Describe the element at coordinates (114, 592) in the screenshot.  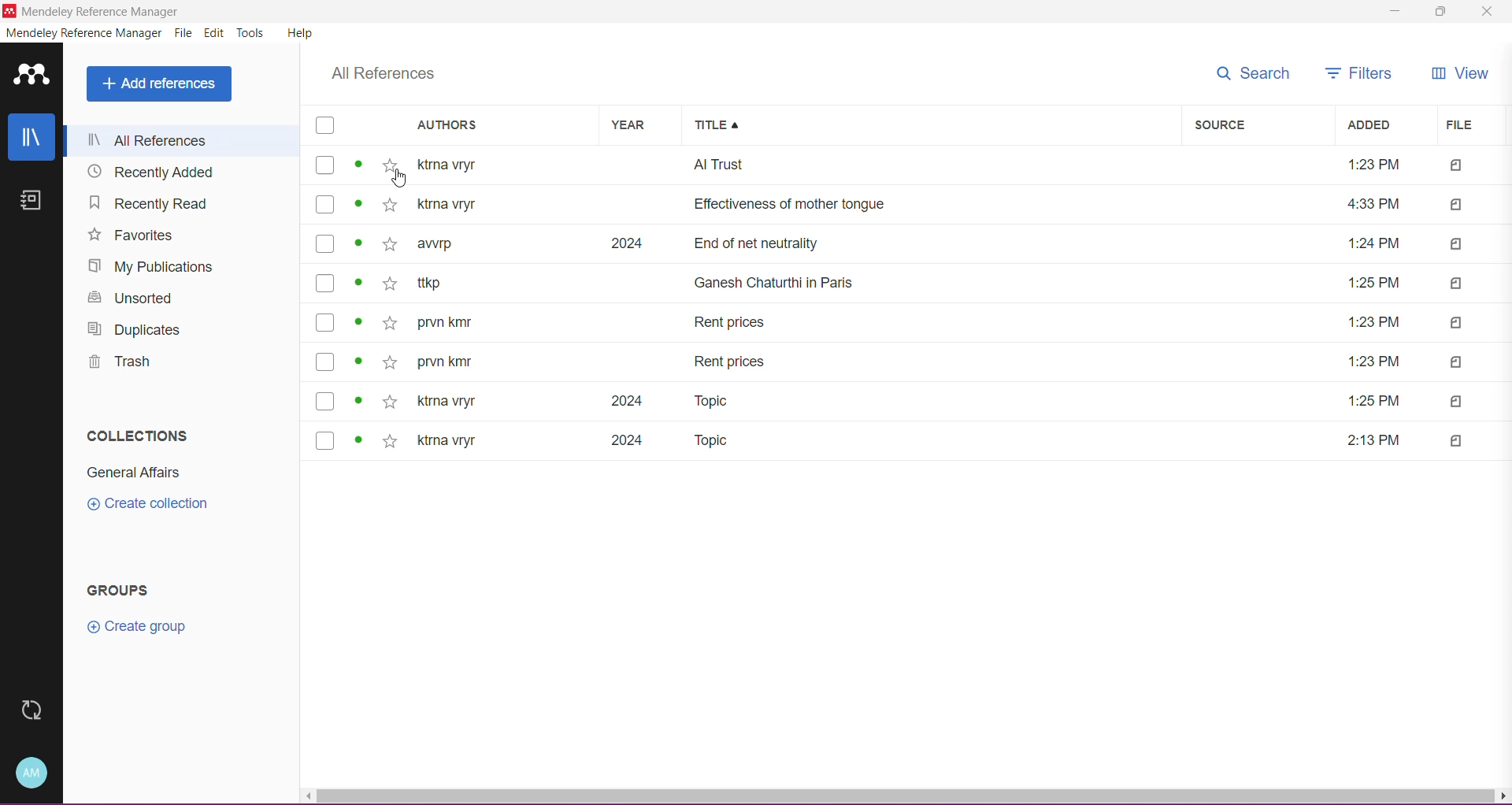
I see `Groups` at that location.